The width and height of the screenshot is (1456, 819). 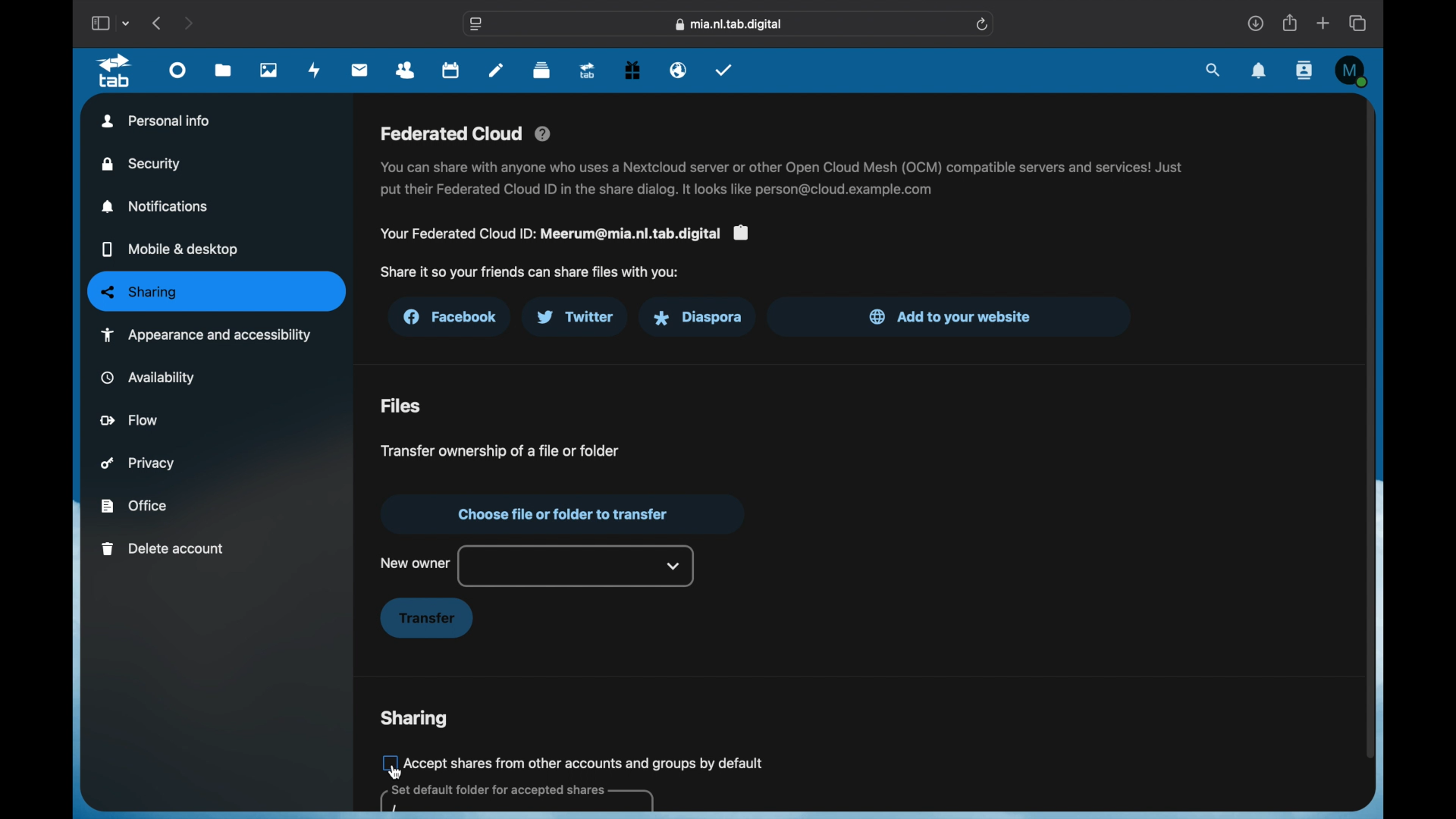 I want to click on show sidebar, so click(x=99, y=23).